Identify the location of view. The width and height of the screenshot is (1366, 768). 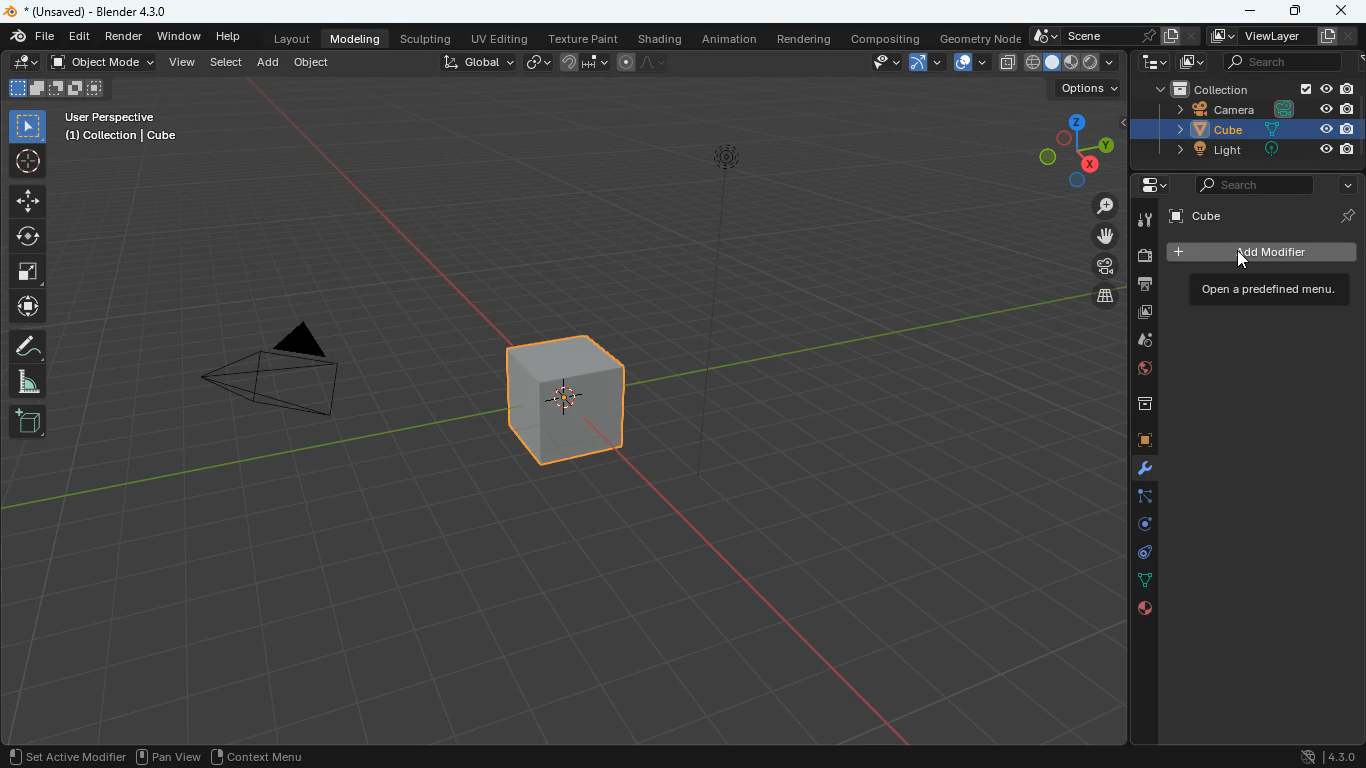
(183, 63).